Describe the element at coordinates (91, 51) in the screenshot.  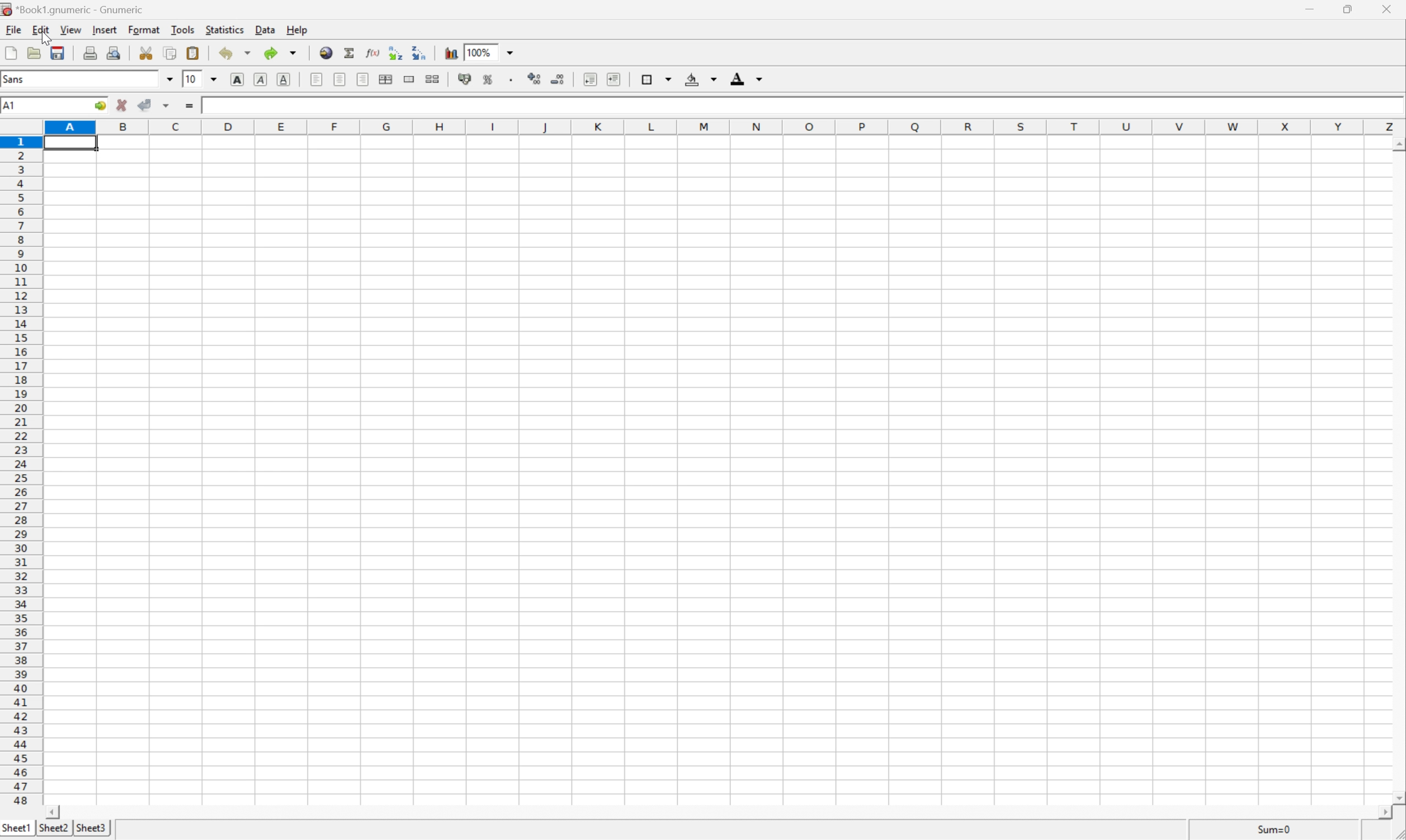
I see `print` at that location.